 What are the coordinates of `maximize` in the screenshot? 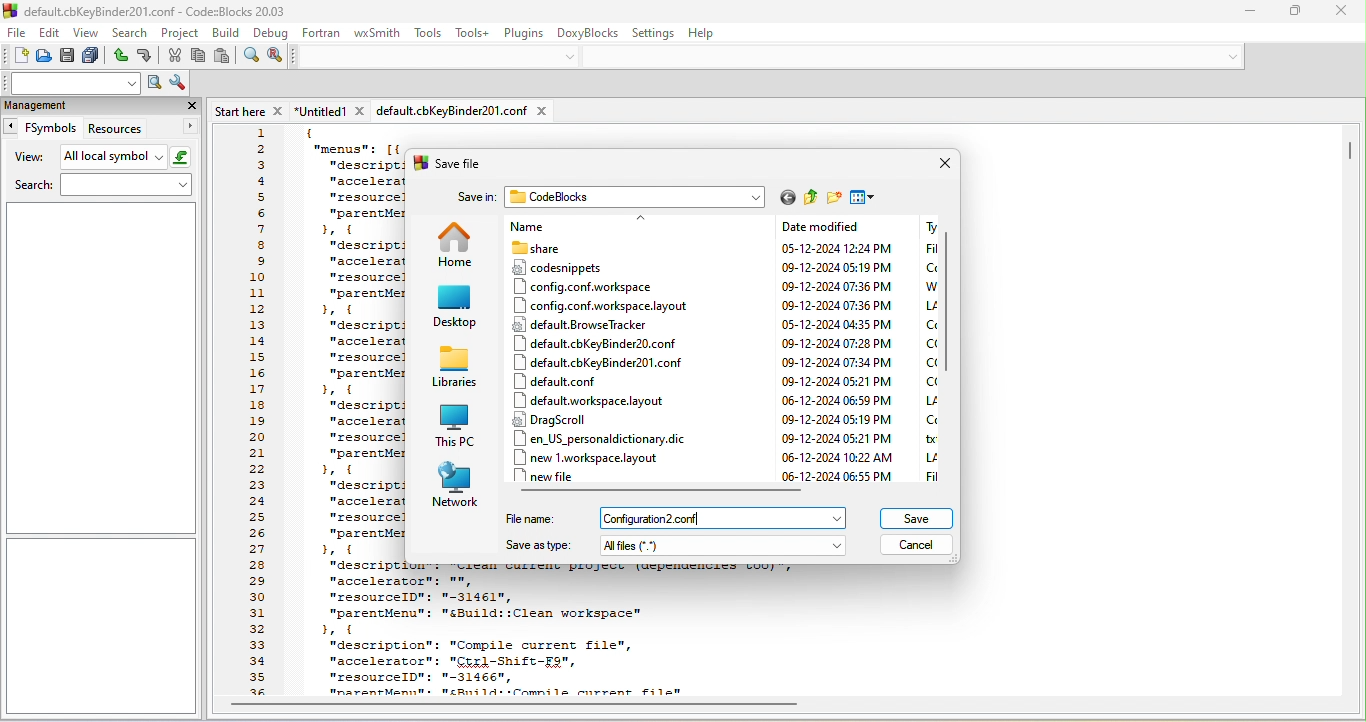 It's located at (1292, 12).